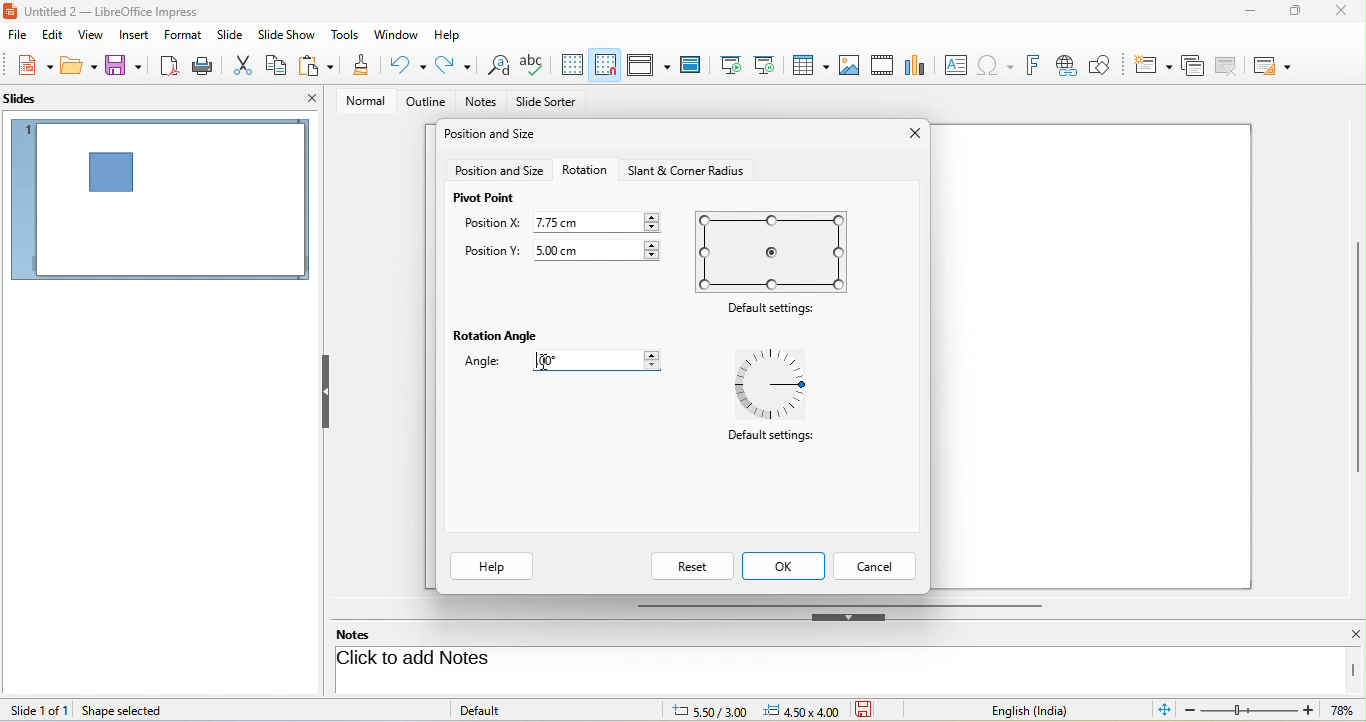 The width and height of the screenshot is (1366, 722). I want to click on spelling, so click(535, 65).